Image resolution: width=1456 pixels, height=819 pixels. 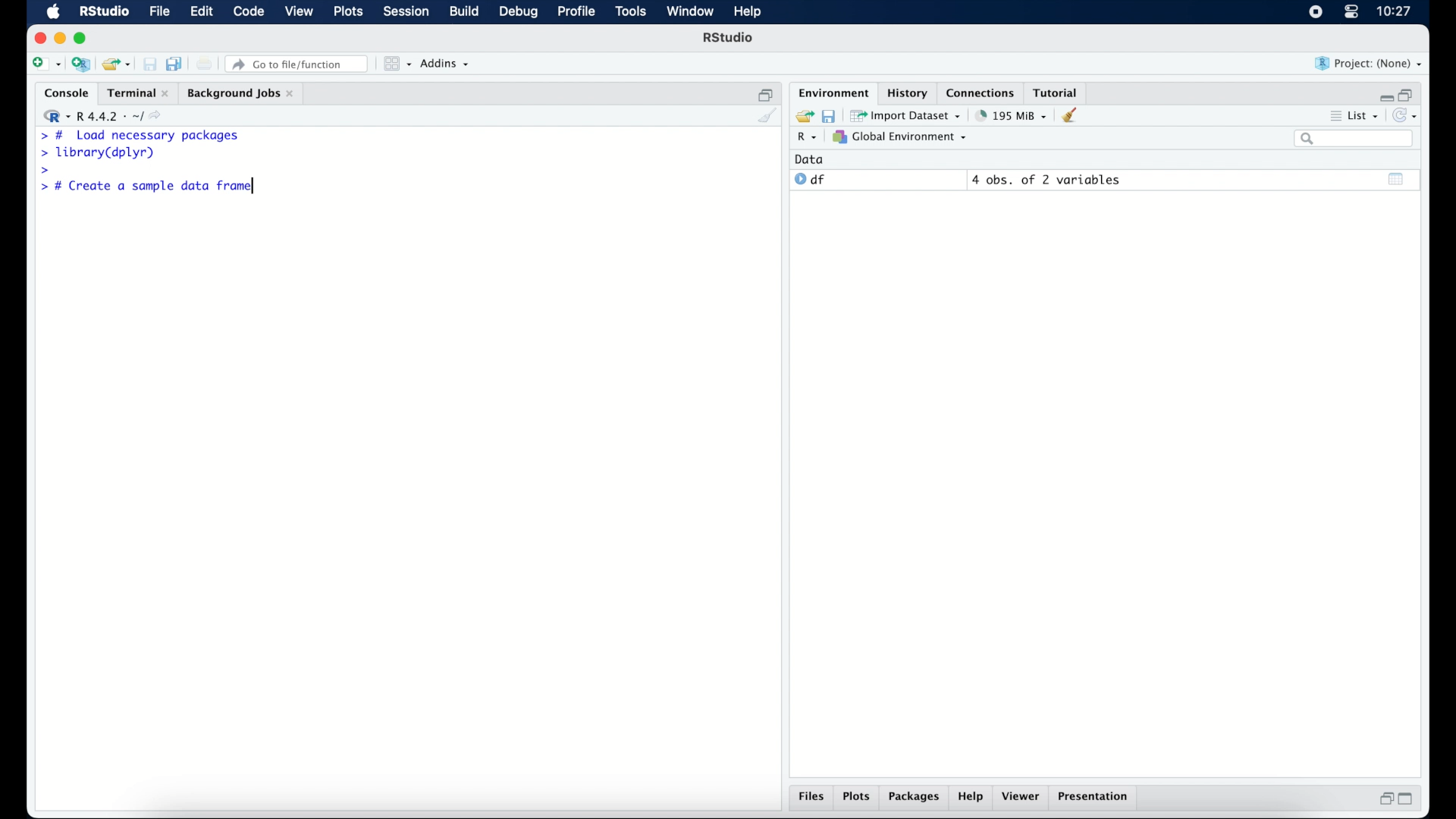 What do you see at coordinates (810, 158) in the screenshot?
I see `date` at bounding box center [810, 158].